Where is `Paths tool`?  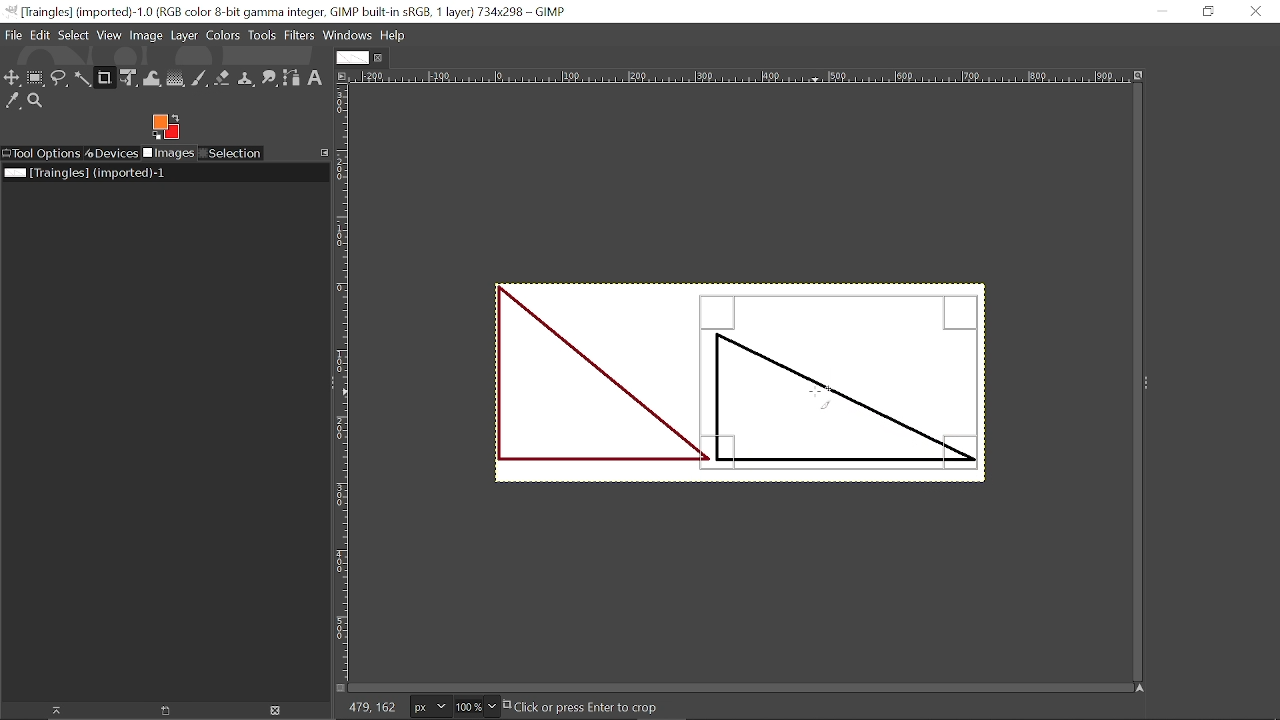 Paths tool is located at coordinates (292, 78).